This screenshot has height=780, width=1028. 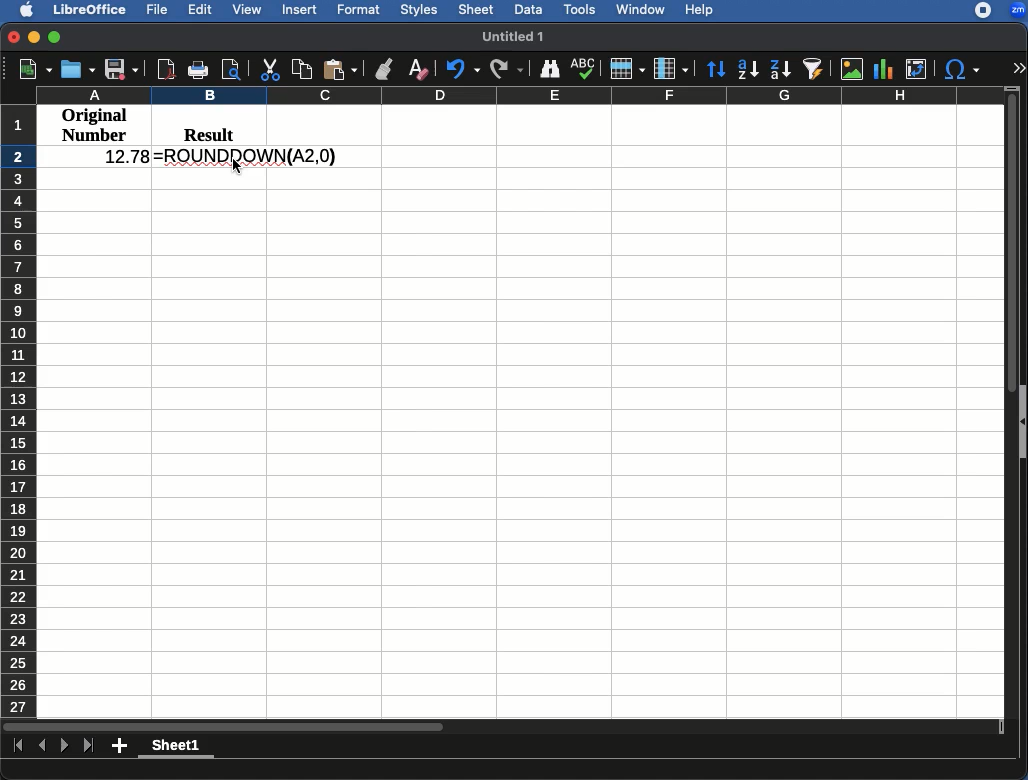 I want to click on Sheet 1, so click(x=177, y=747).